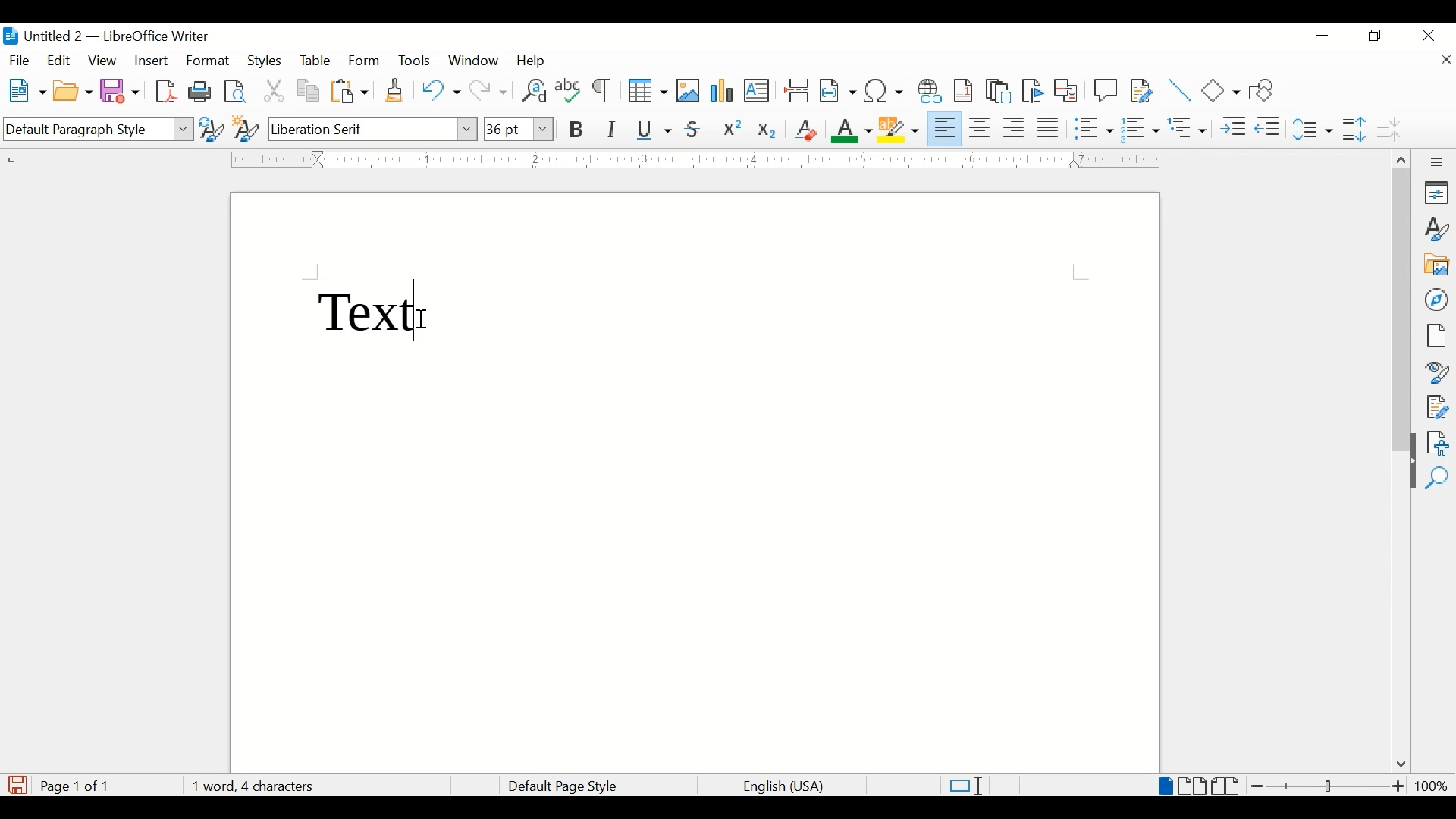  I want to click on properties, so click(1438, 193).